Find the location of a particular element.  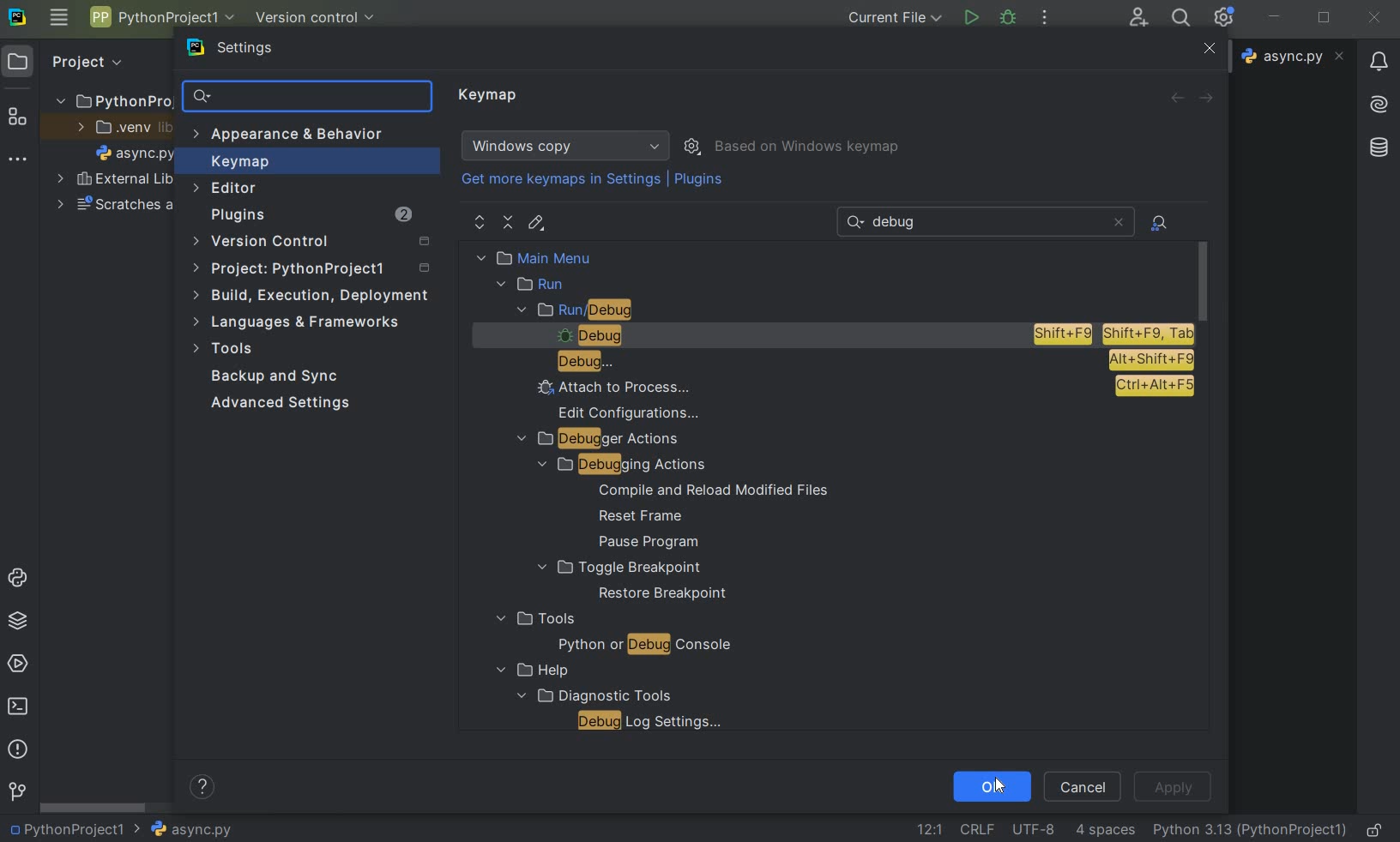

file name is located at coordinates (136, 156).